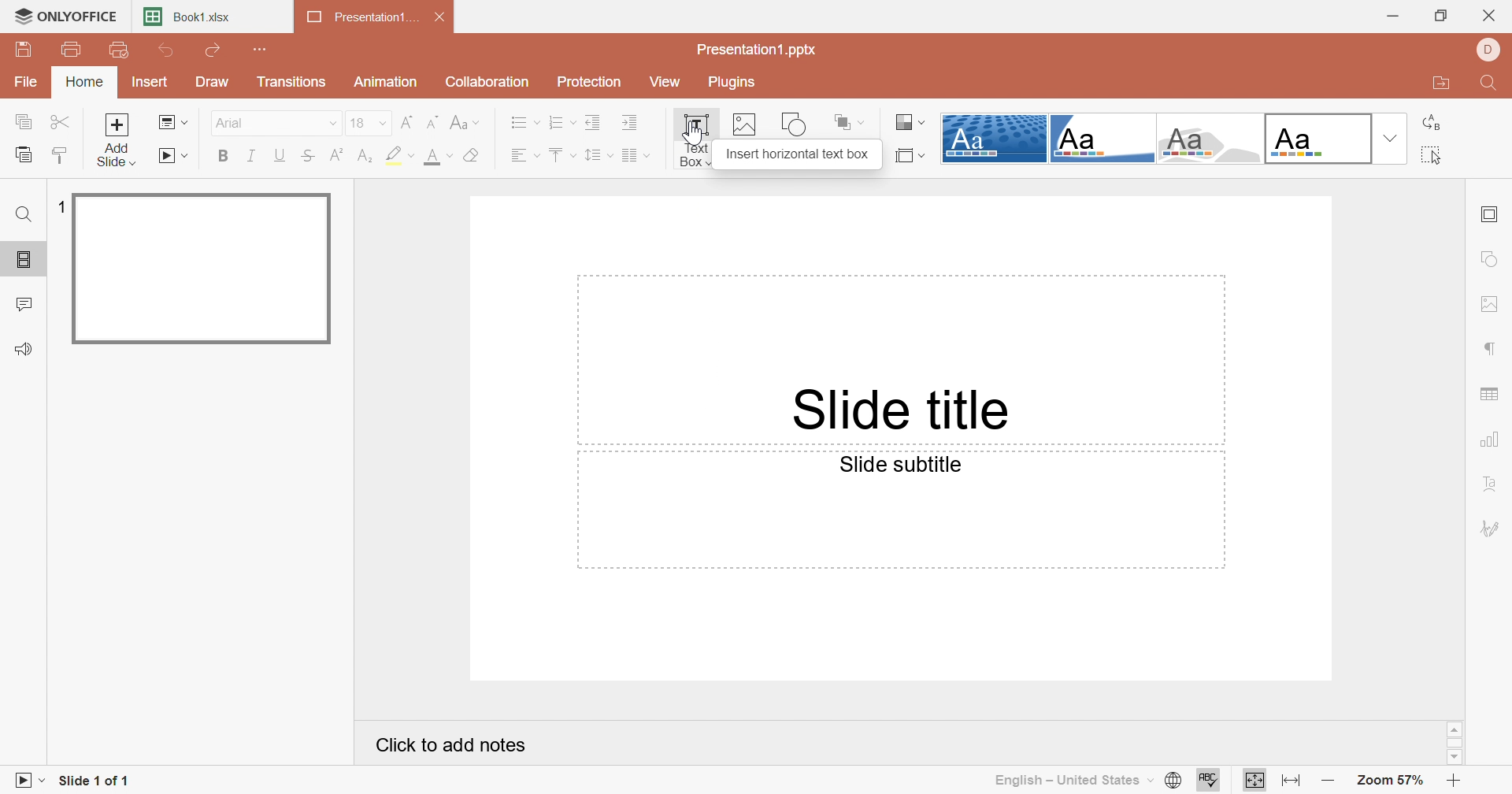 This screenshot has width=1512, height=794. Describe the element at coordinates (561, 151) in the screenshot. I see `Vertical align` at that location.